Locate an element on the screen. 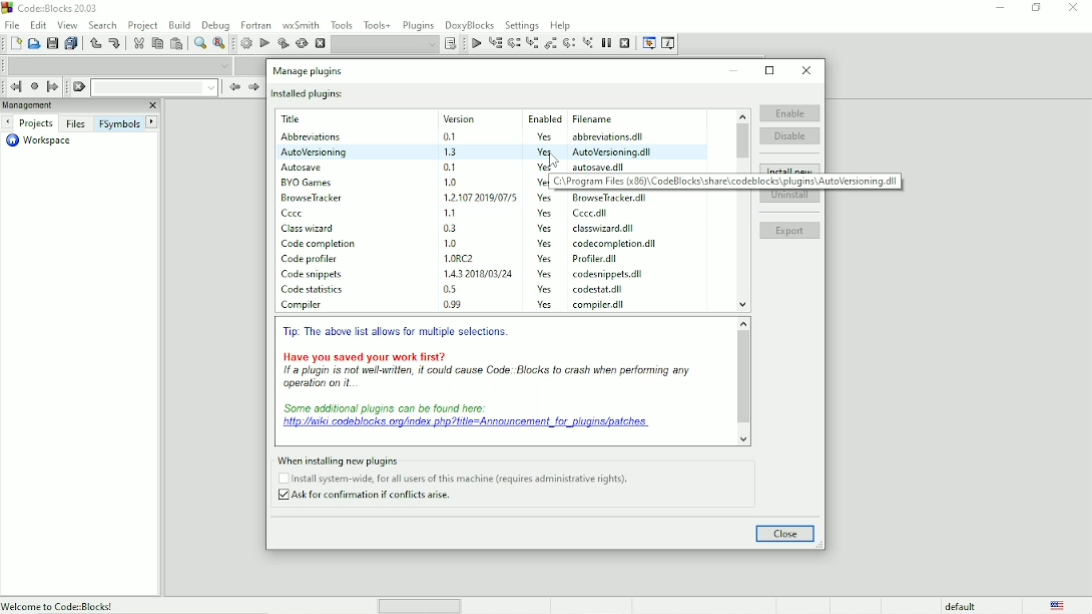 The height and width of the screenshot is (614, 1092). Yes is located at coordinates (547, 289).